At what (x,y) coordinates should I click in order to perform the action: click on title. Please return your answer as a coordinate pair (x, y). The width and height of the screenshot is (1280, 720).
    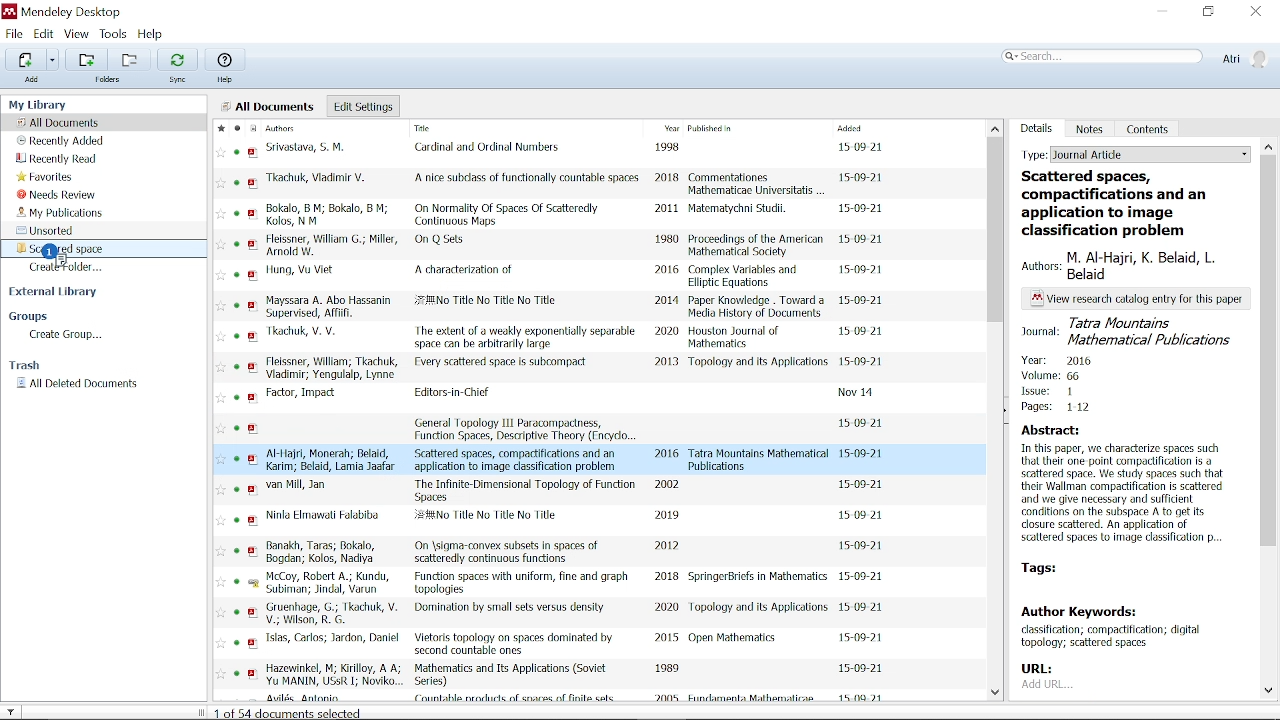
    Looking at the image, I should click on (519, 459).